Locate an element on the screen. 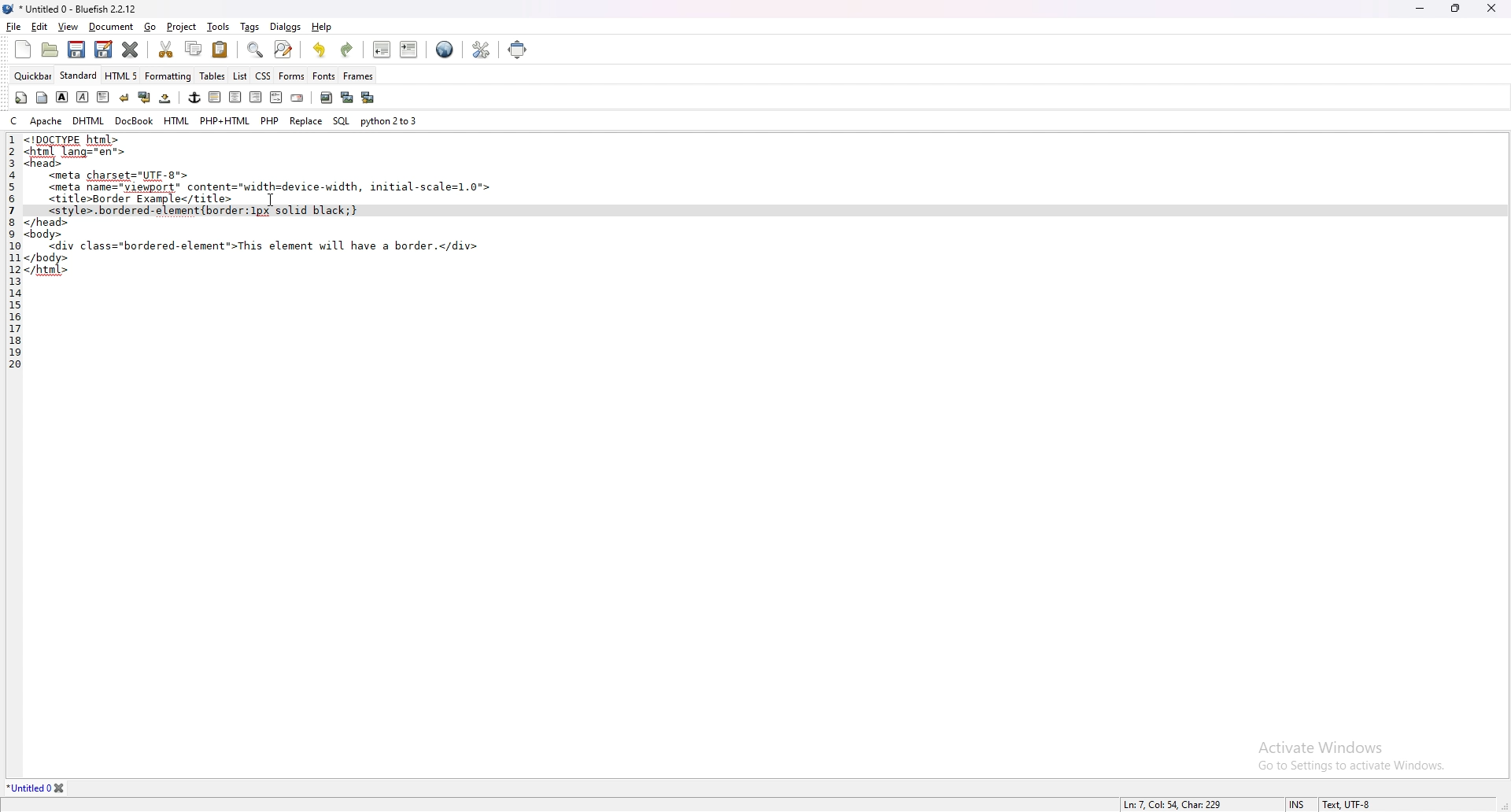 This screenshot has height=812, width=1511. email is located at coordinates (297, 98).